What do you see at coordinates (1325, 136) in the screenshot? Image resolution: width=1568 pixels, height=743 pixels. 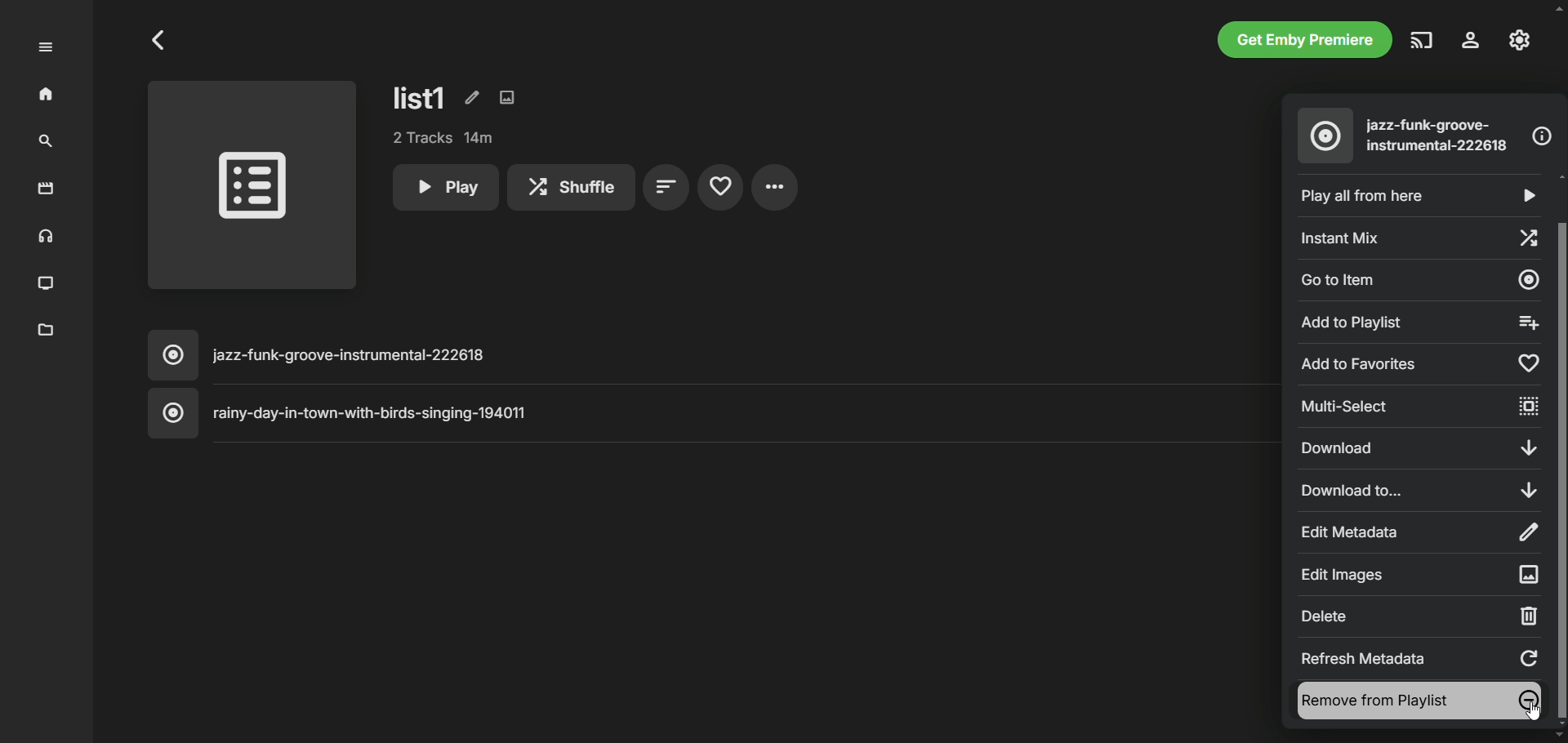 I see `music album` at bounding box center [1325, 136].